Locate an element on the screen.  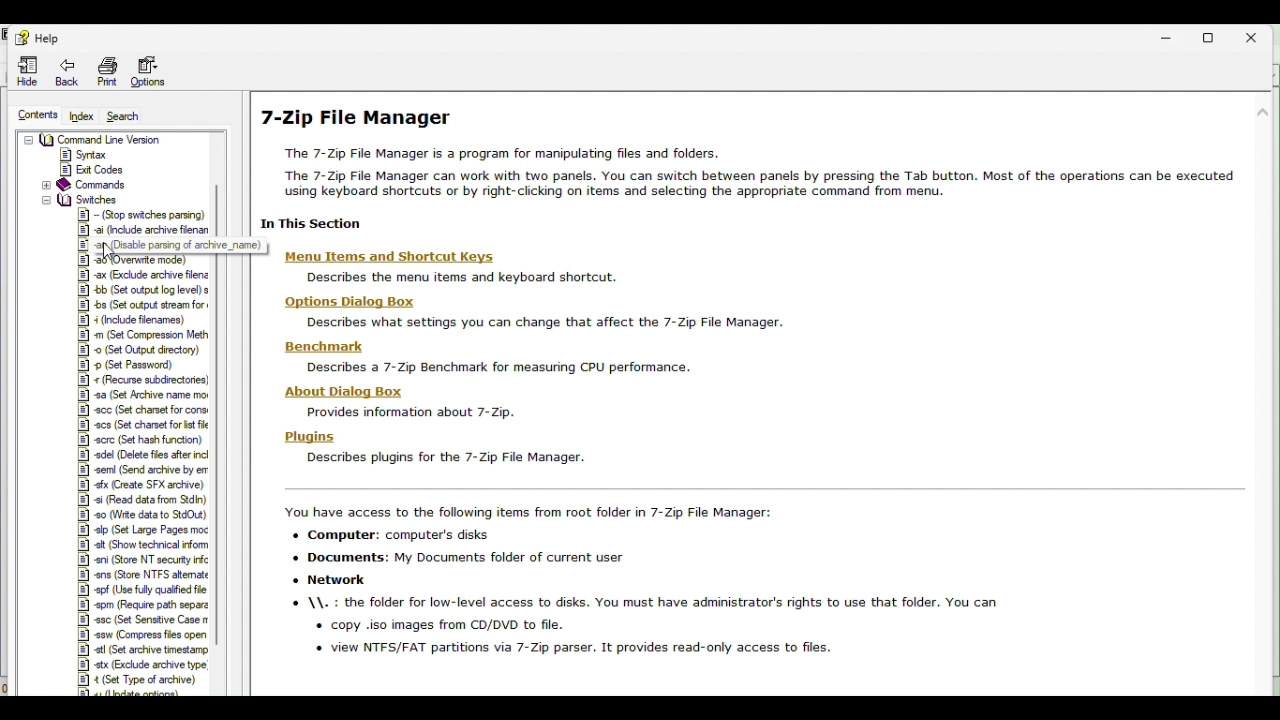
|] acs (Set charset for list file is located at coordinates (142, 426).